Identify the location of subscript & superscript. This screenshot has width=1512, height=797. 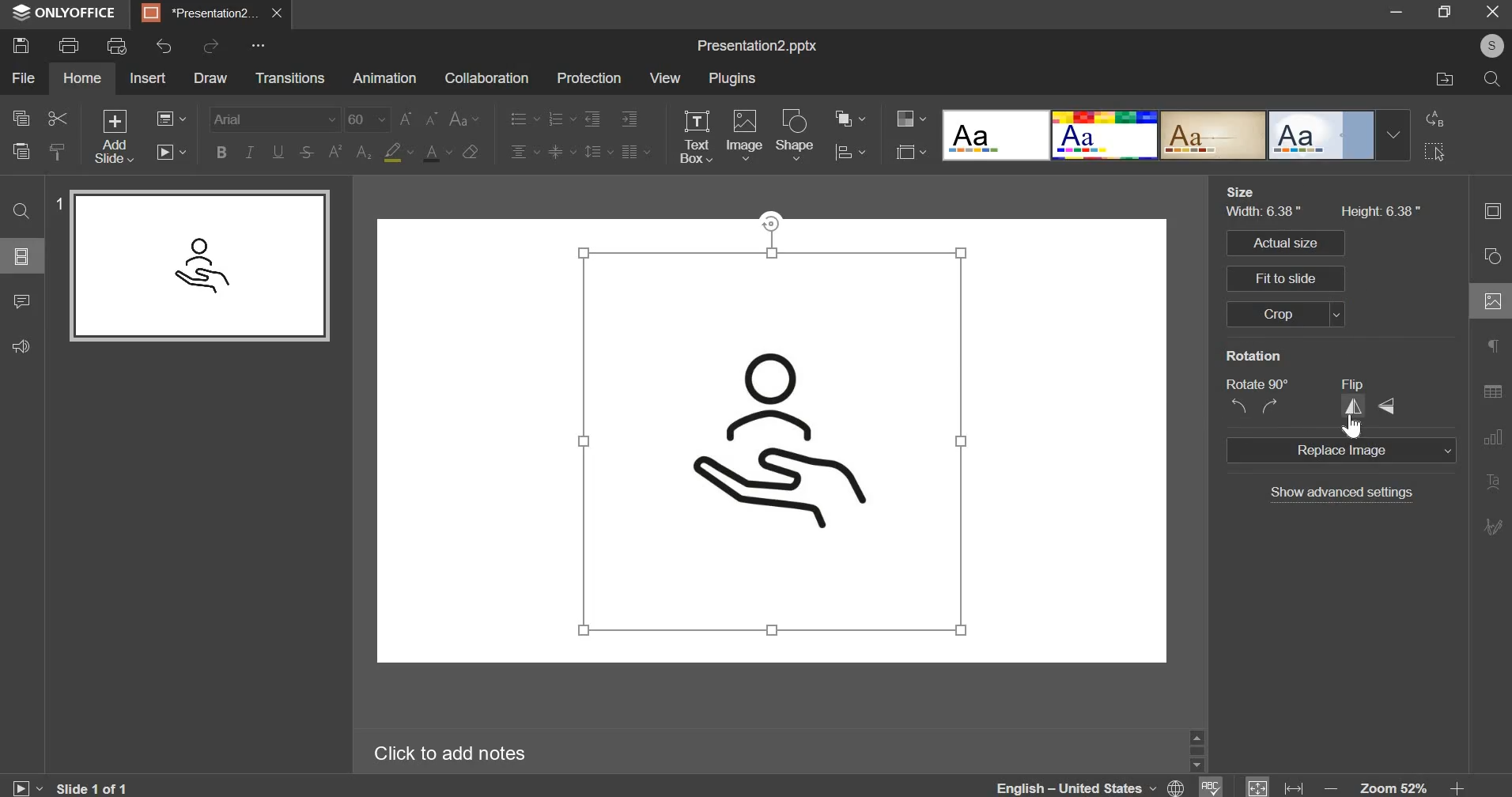
(348, 153).